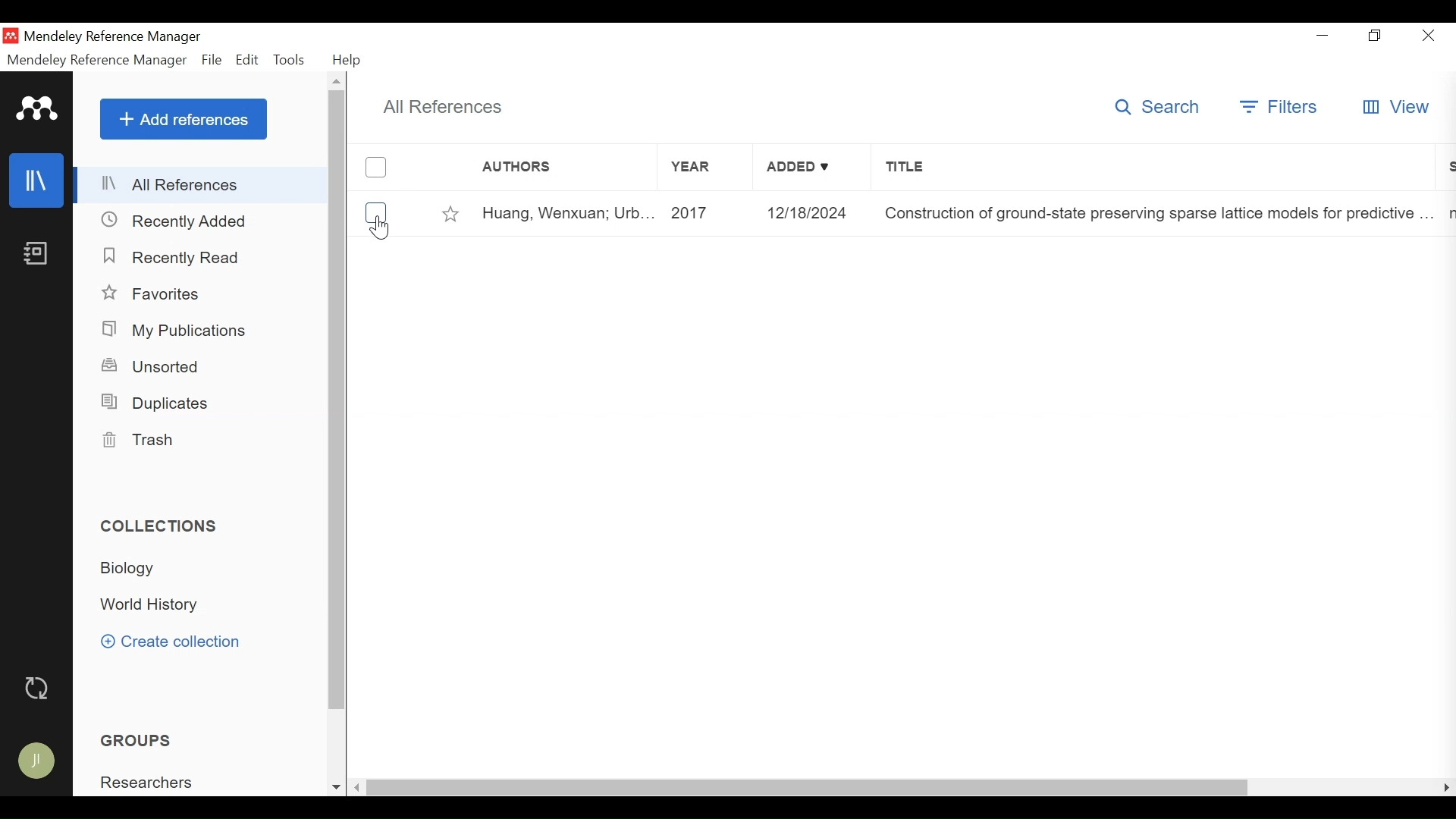 This screenshot has height=819, width=1456. What do you see at coordinates (180, 642) in the screenshot?
I see `Create Collection` at bounding box center [180, 642].